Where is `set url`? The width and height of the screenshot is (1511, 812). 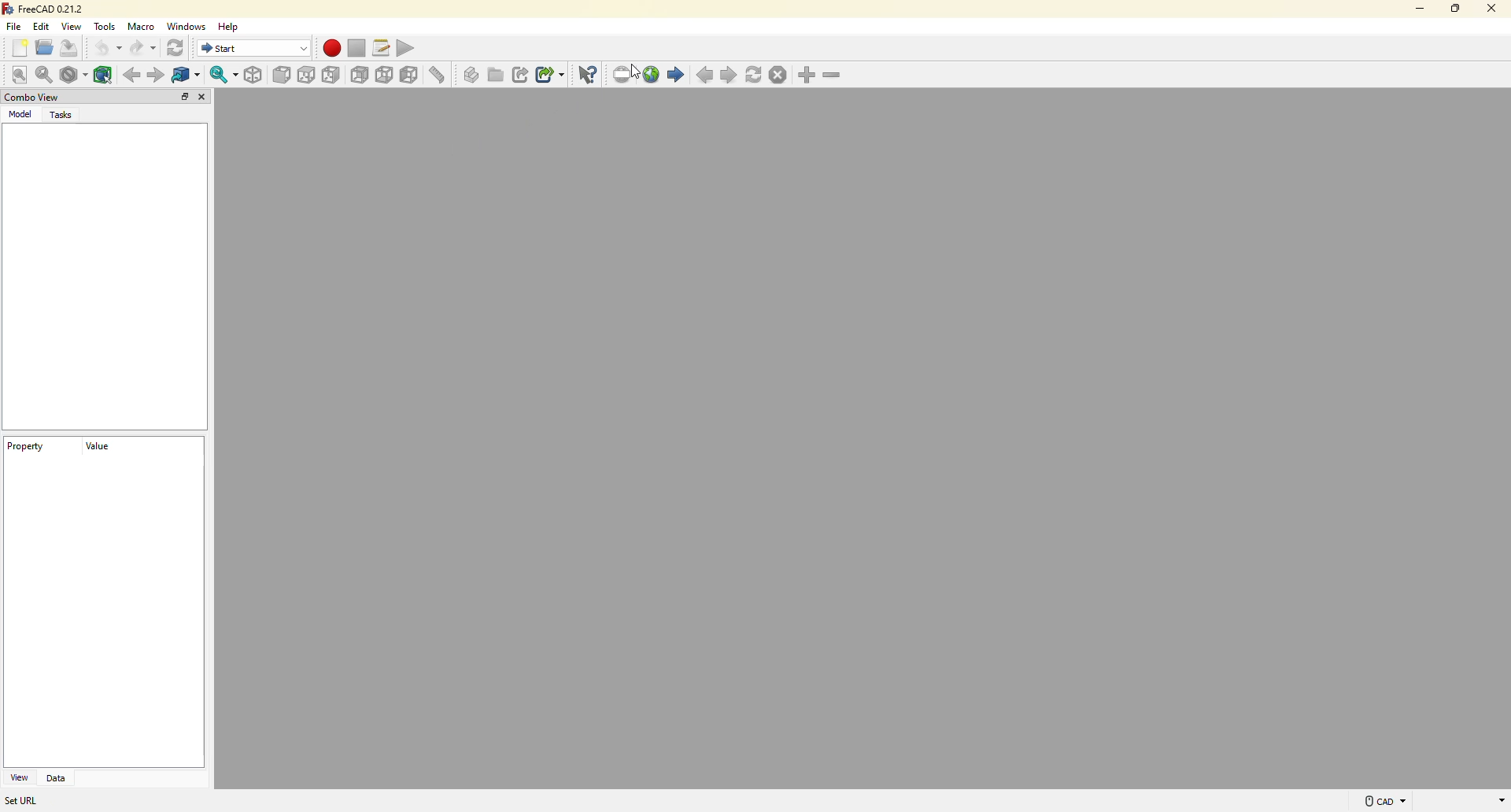 set url is located at coordinates (623, 74).